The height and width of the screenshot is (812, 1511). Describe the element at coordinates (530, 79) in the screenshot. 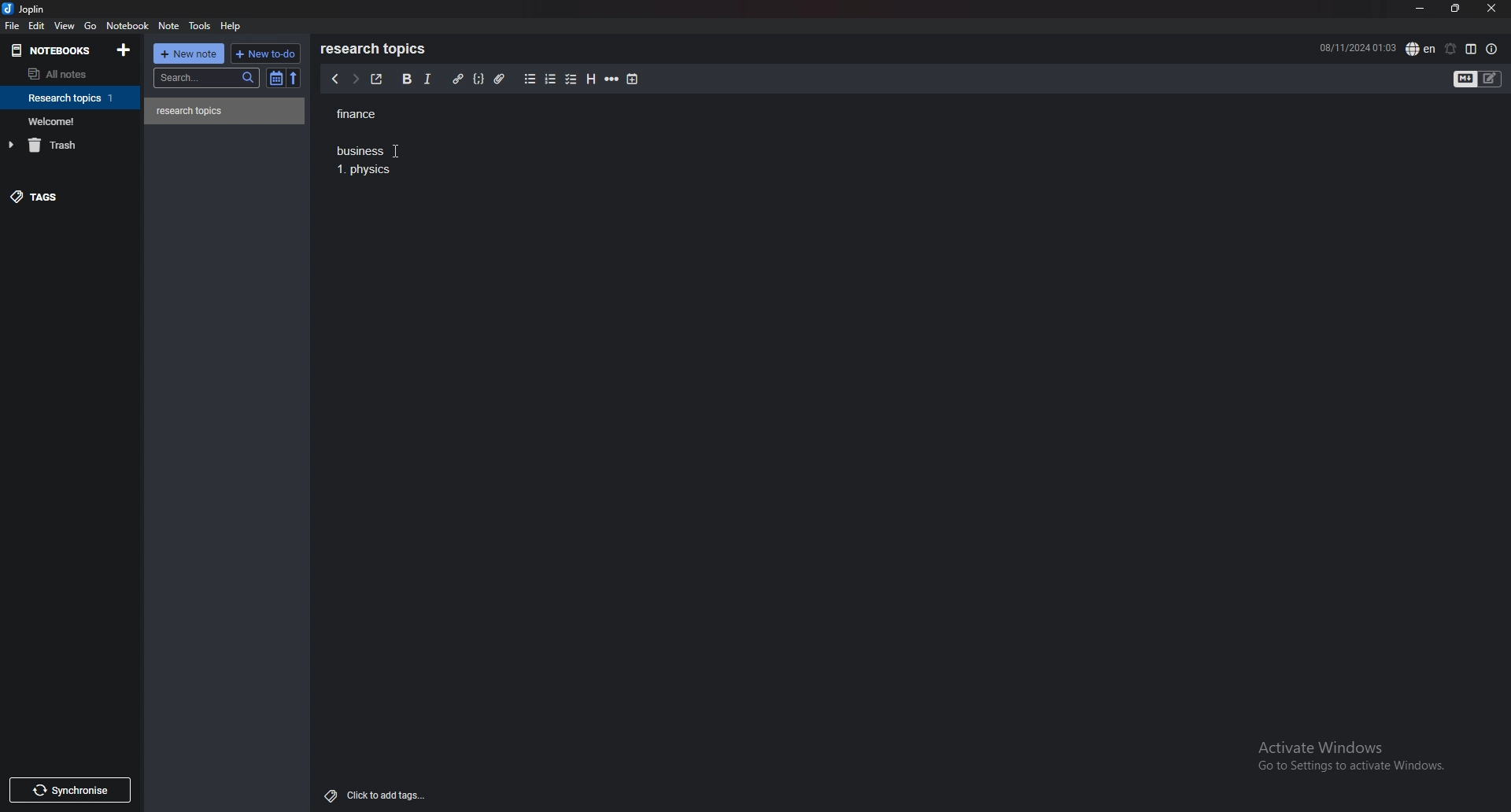

I see `bullet list` at that location.